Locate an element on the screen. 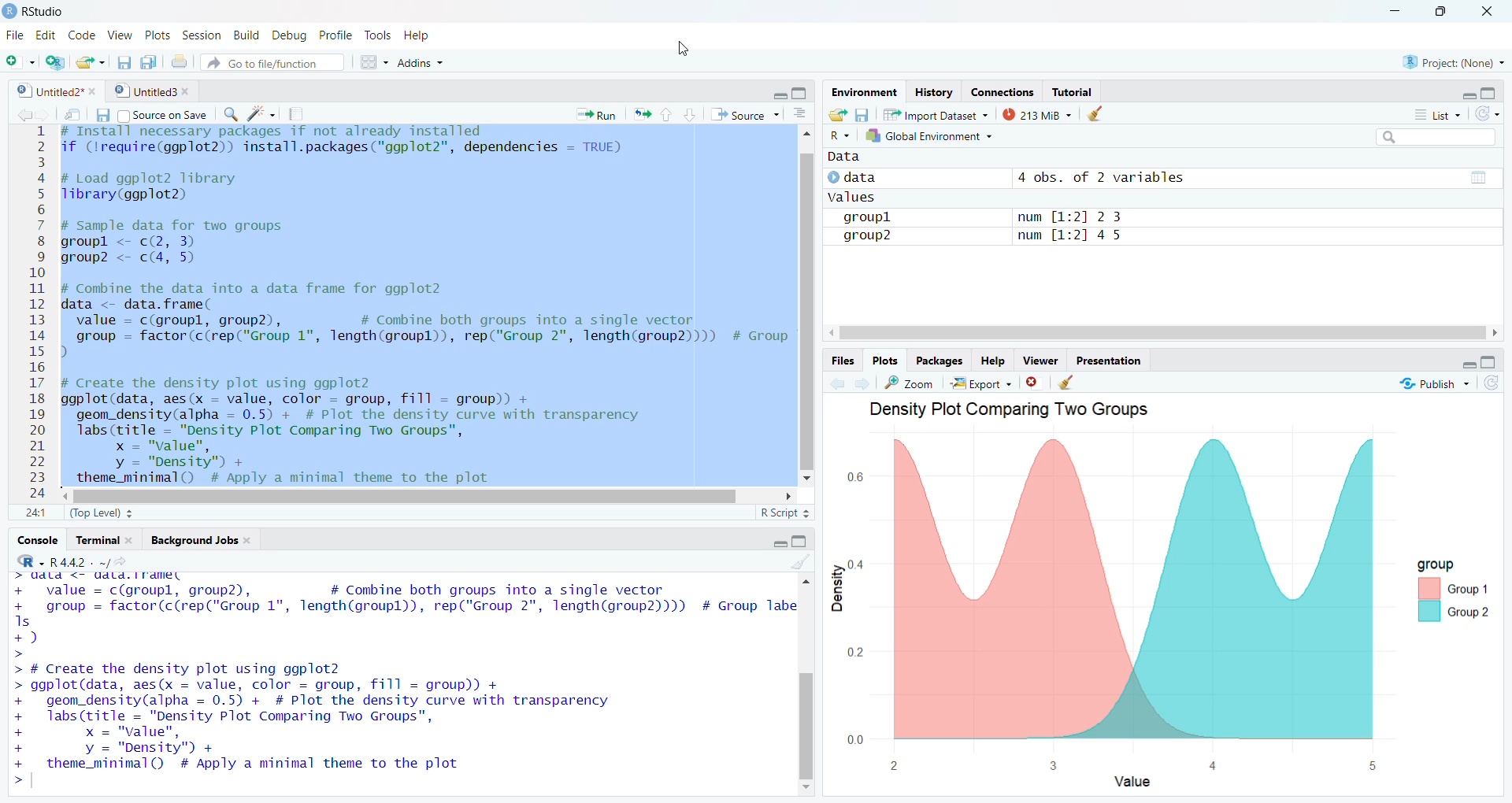  clear is located at coordinates (1112, 113).